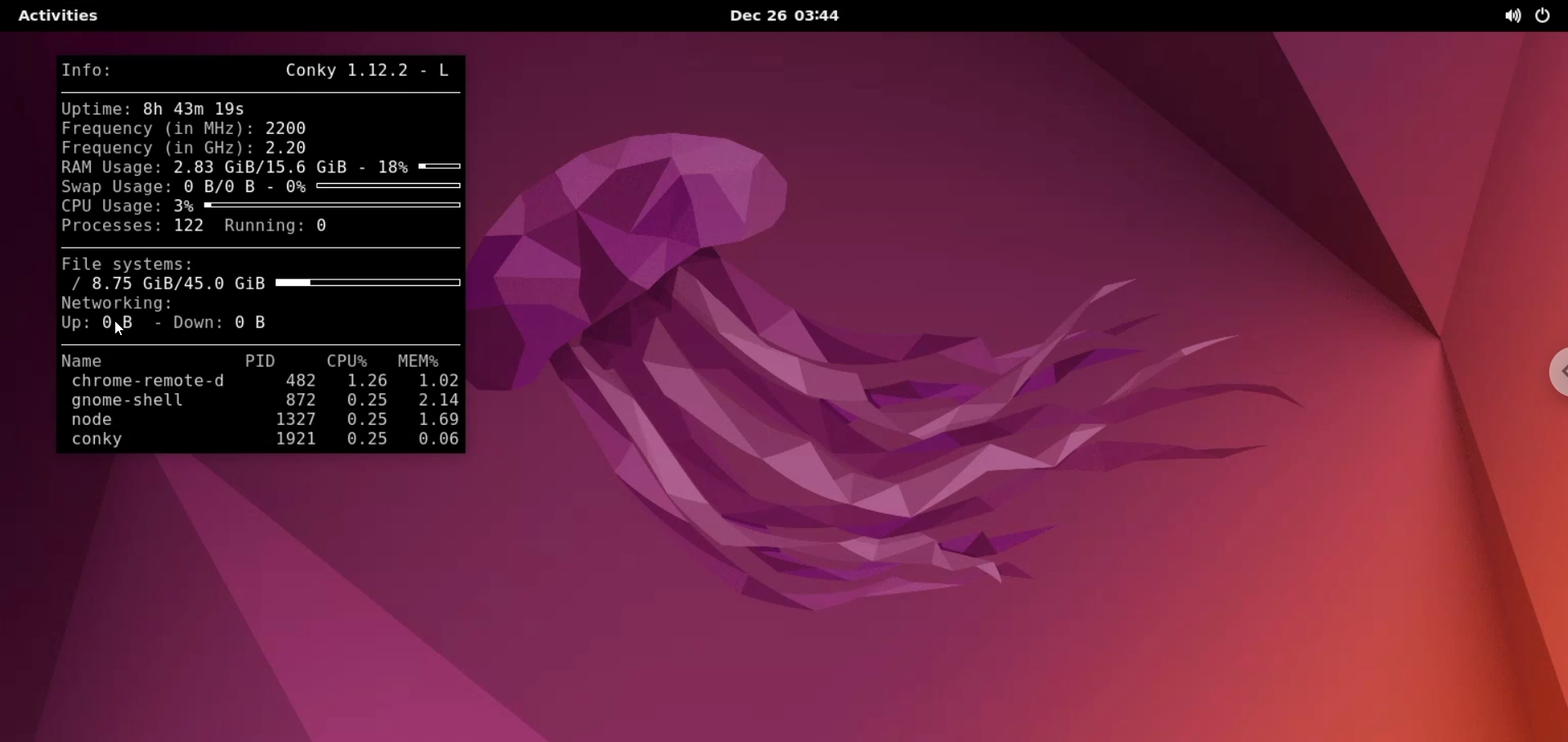 This screenshot has height=742, width=1568. Describe the element at coordinates (118, 329) in the screenshot. I see `cursor` at that location.